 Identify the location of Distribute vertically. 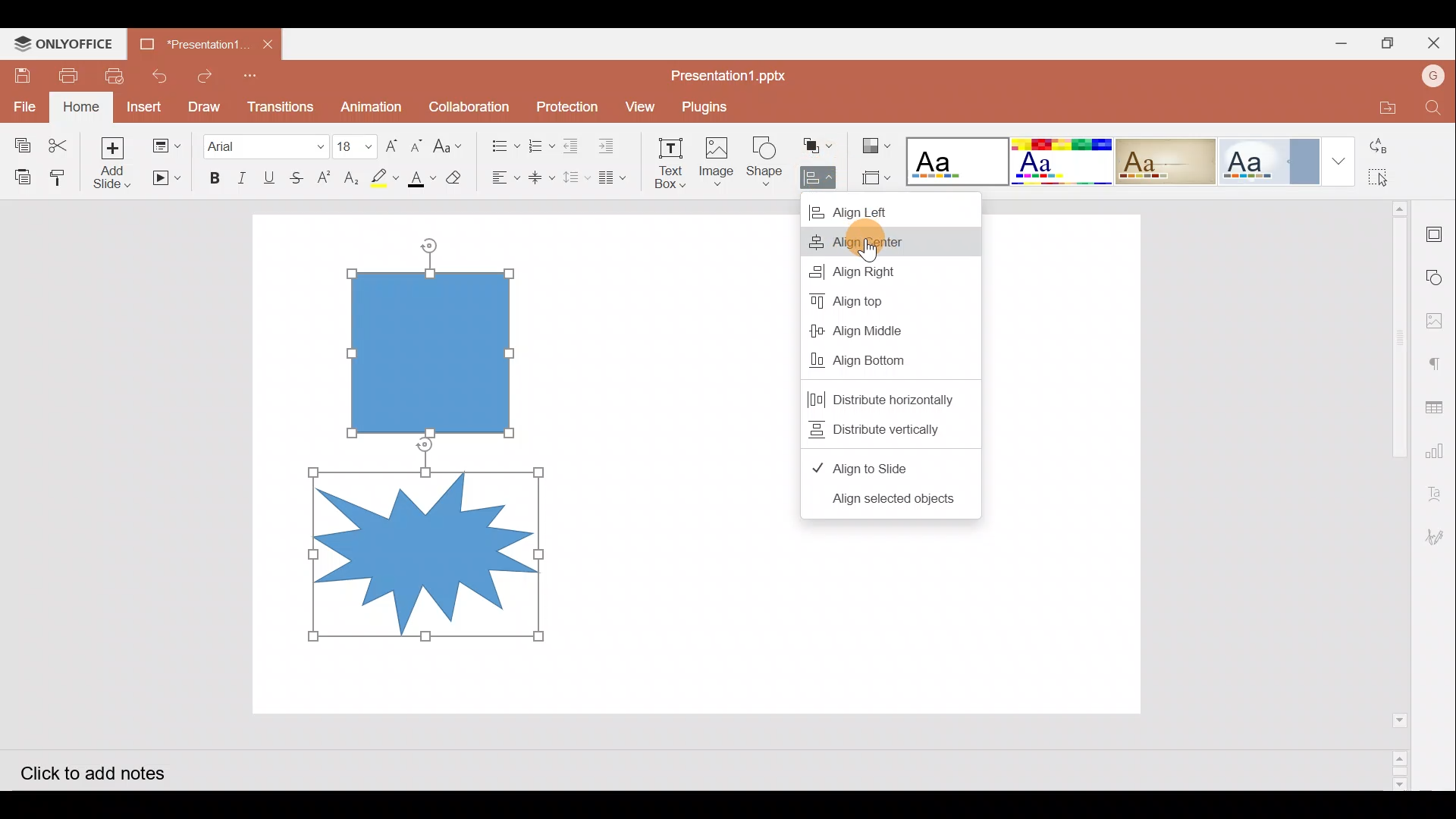
(882, 428).